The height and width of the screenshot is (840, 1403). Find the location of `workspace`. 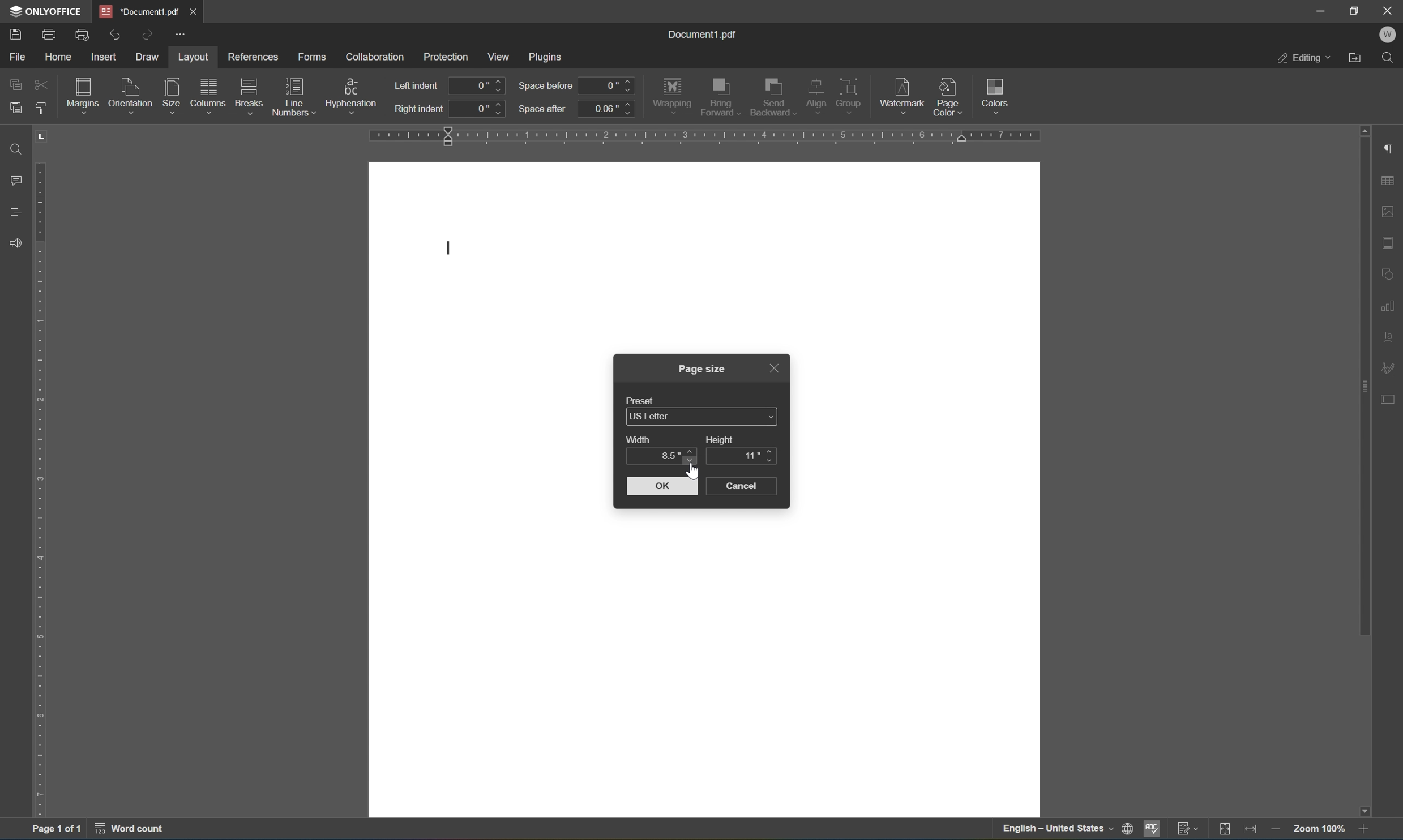

workspace is located at coordinates (491, 430).